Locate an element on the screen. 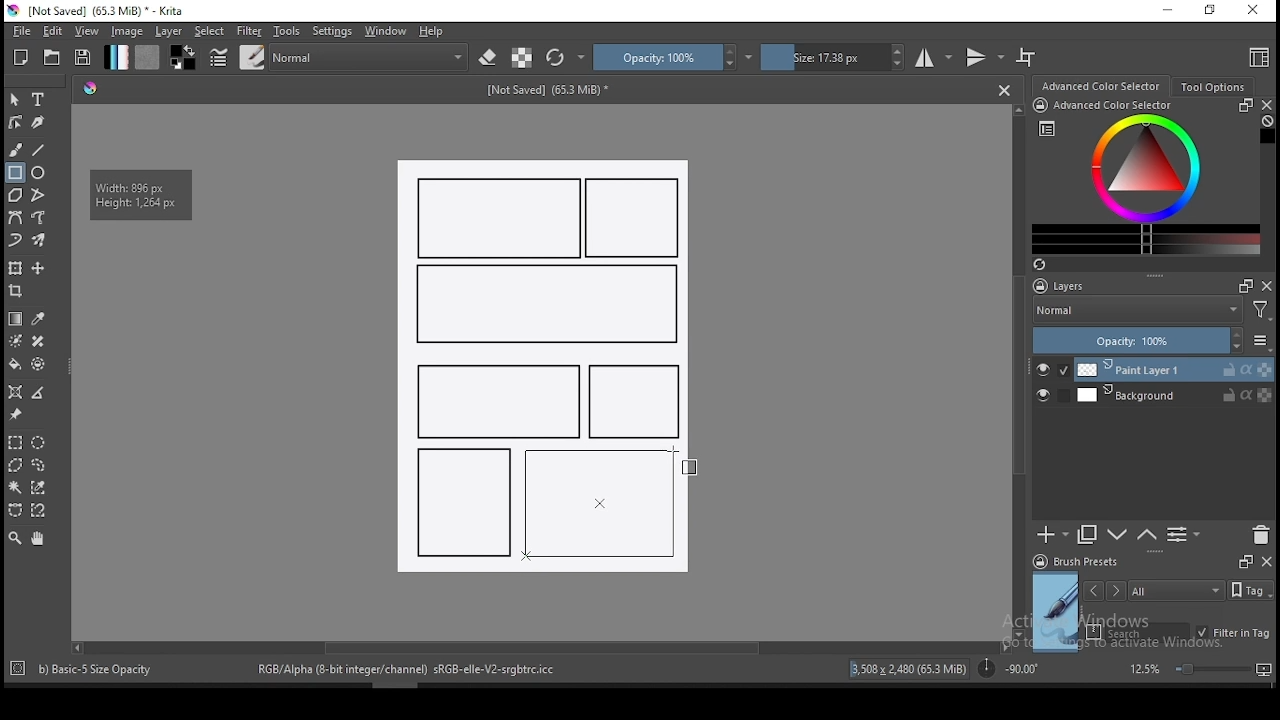 The height and width of the screenshot is (720, 1280). paint bucket tool is located at coordinates (15, 364).